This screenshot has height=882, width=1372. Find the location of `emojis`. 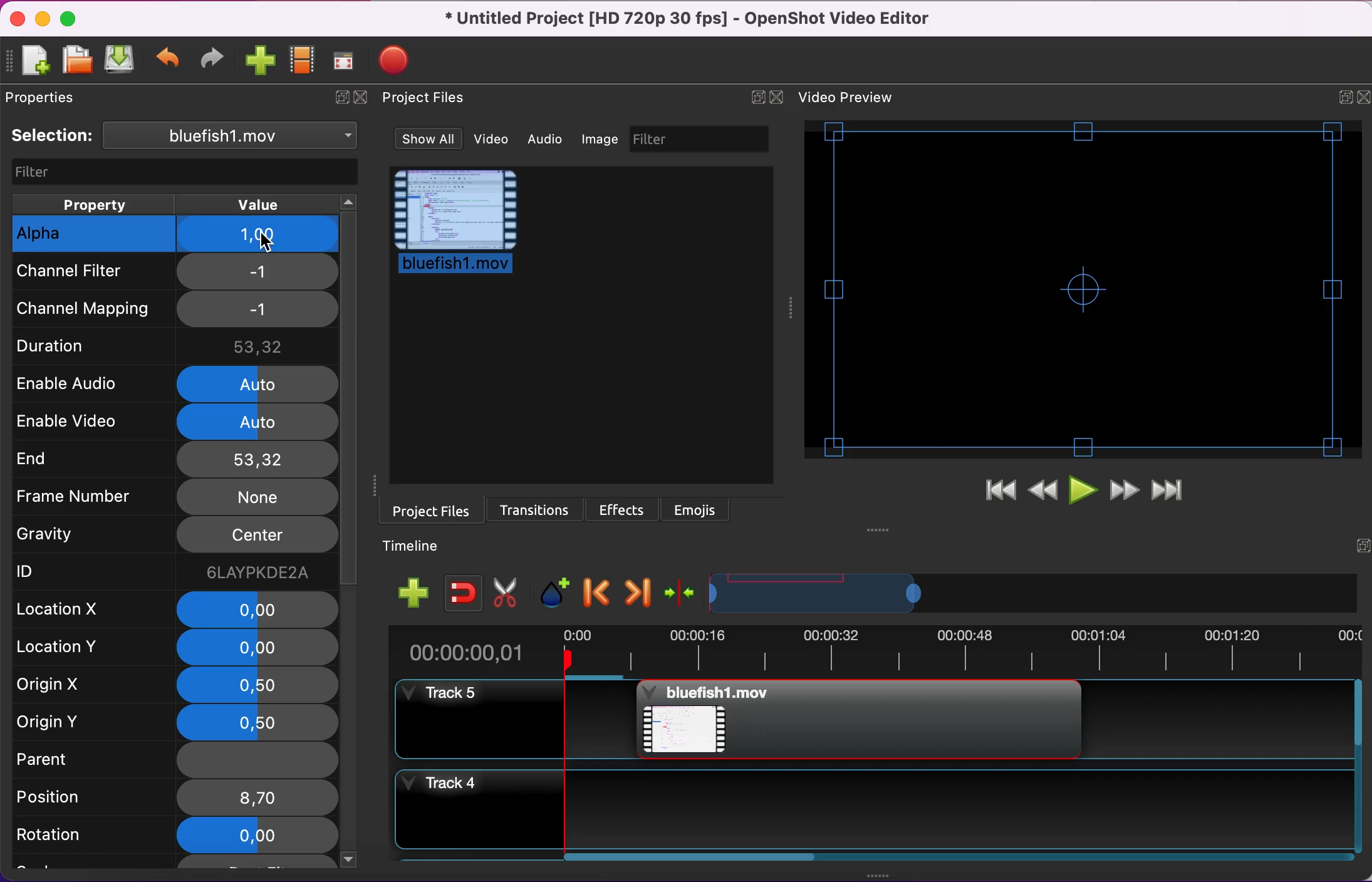

emojis is located at coordinates (697, 508).